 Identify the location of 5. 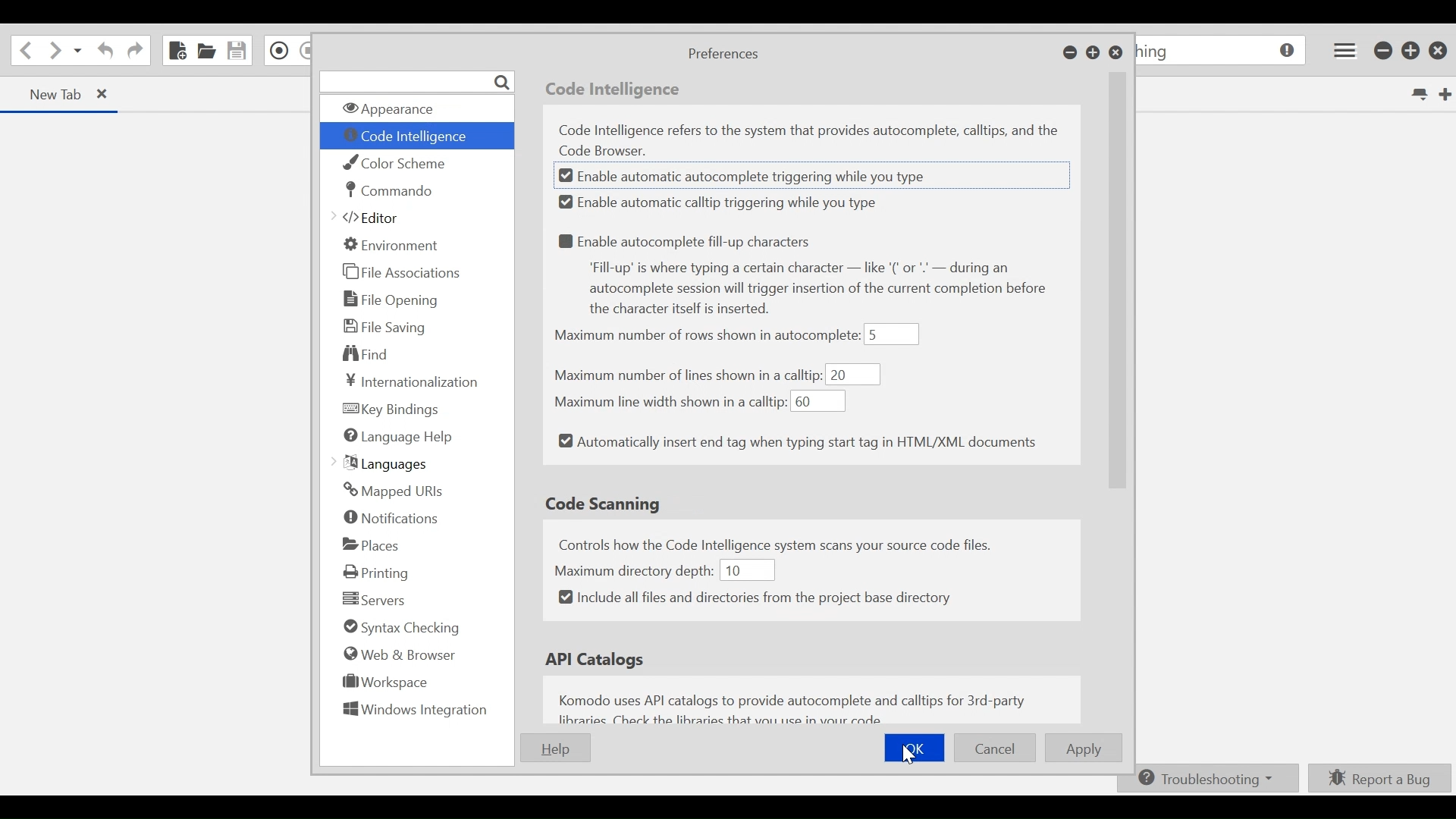
(893, 334).